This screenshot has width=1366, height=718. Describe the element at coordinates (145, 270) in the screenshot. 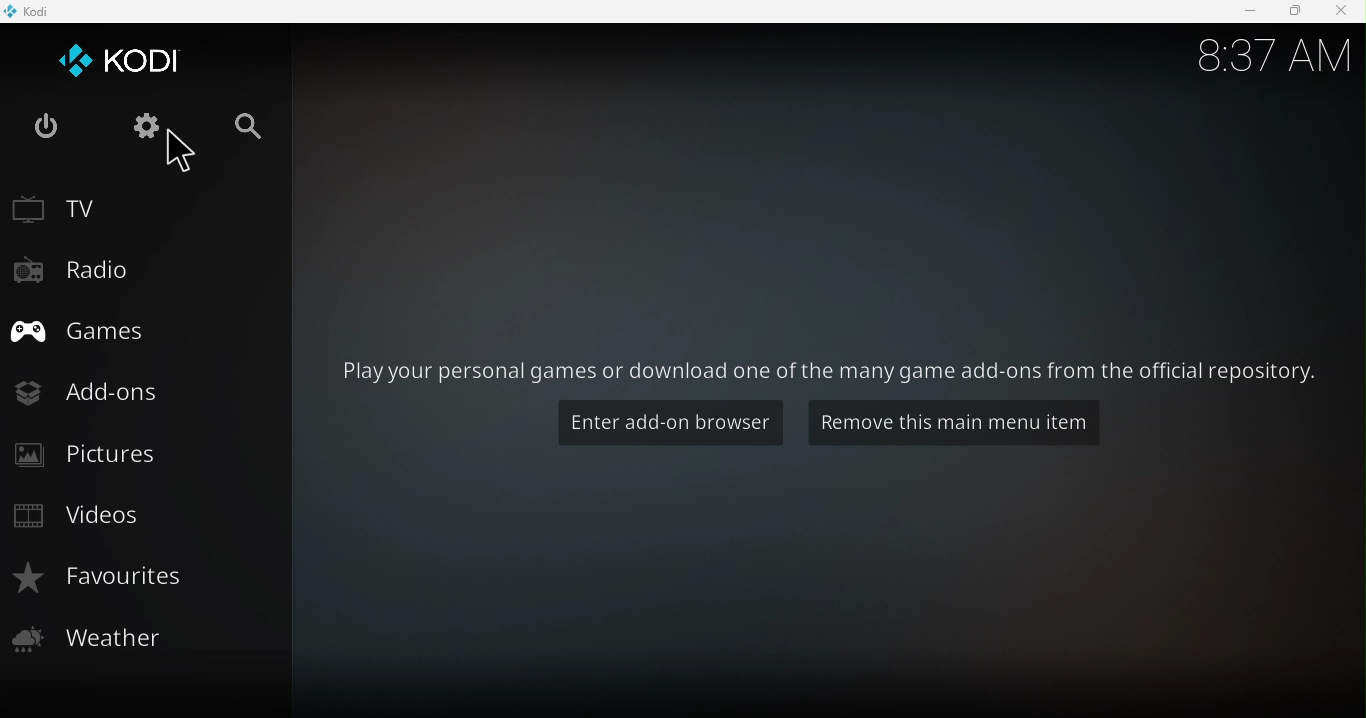

I see `Radio` at that location.